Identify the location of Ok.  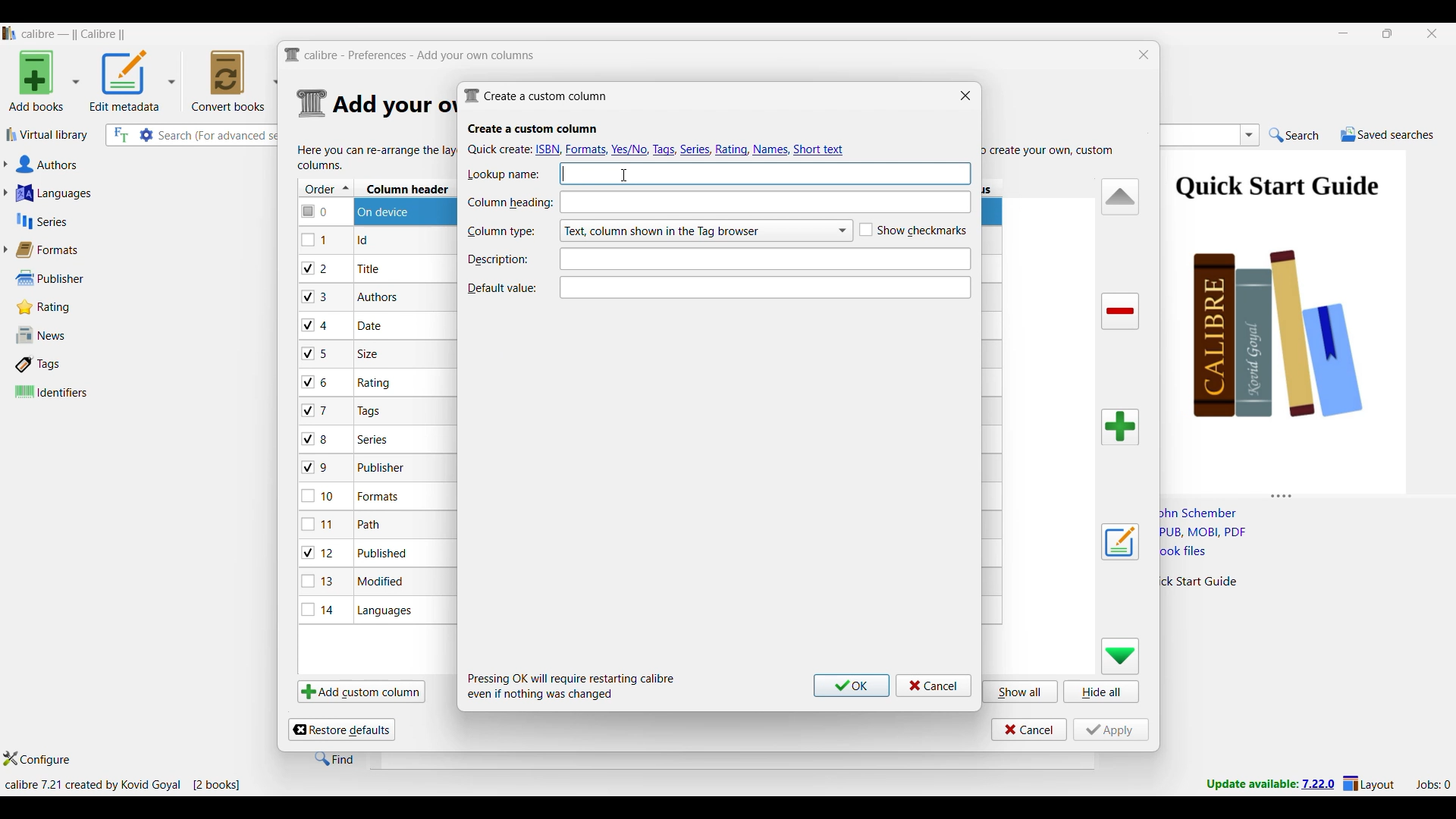
(852, 686).